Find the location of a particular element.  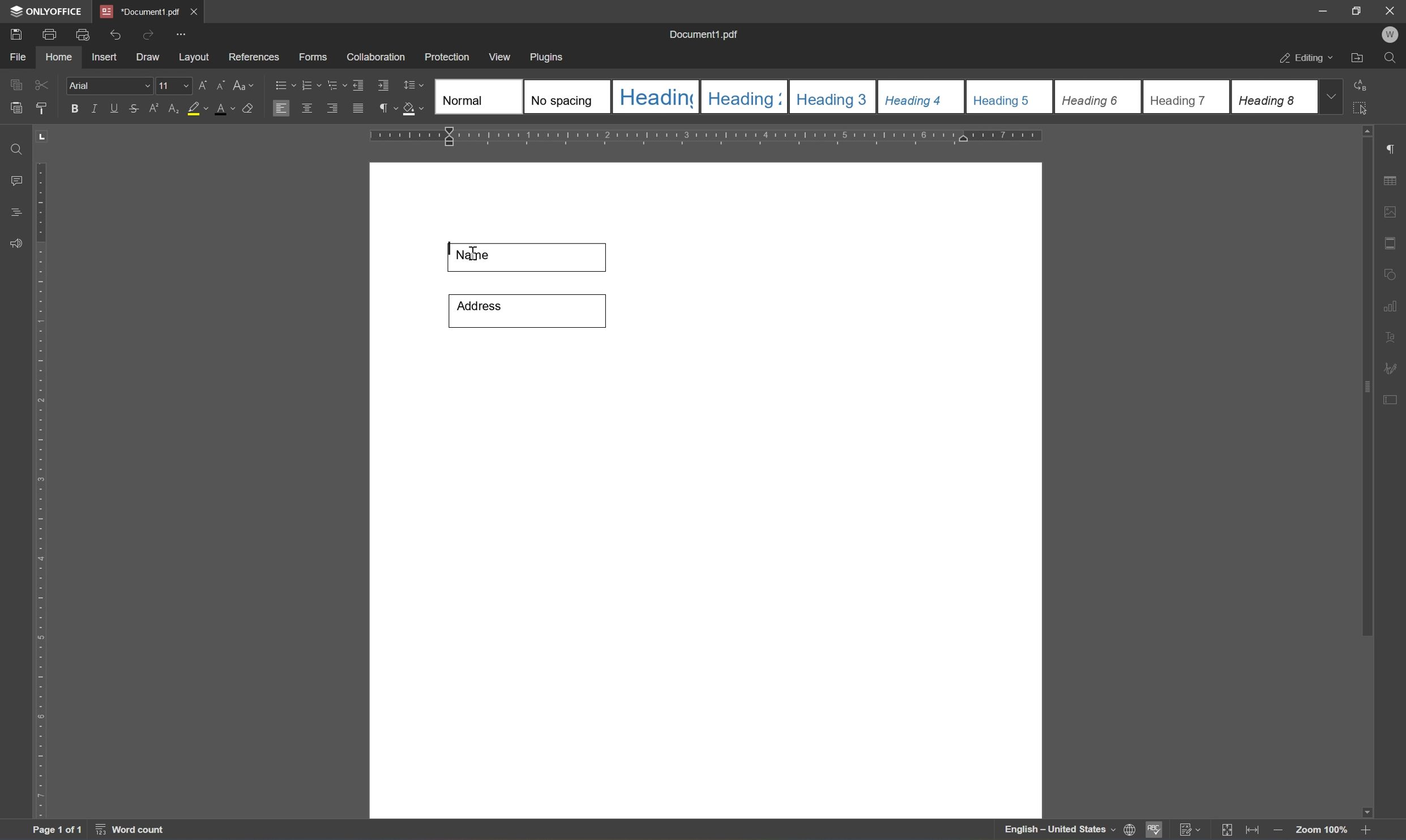

forms is located at coordinates (312, 57).